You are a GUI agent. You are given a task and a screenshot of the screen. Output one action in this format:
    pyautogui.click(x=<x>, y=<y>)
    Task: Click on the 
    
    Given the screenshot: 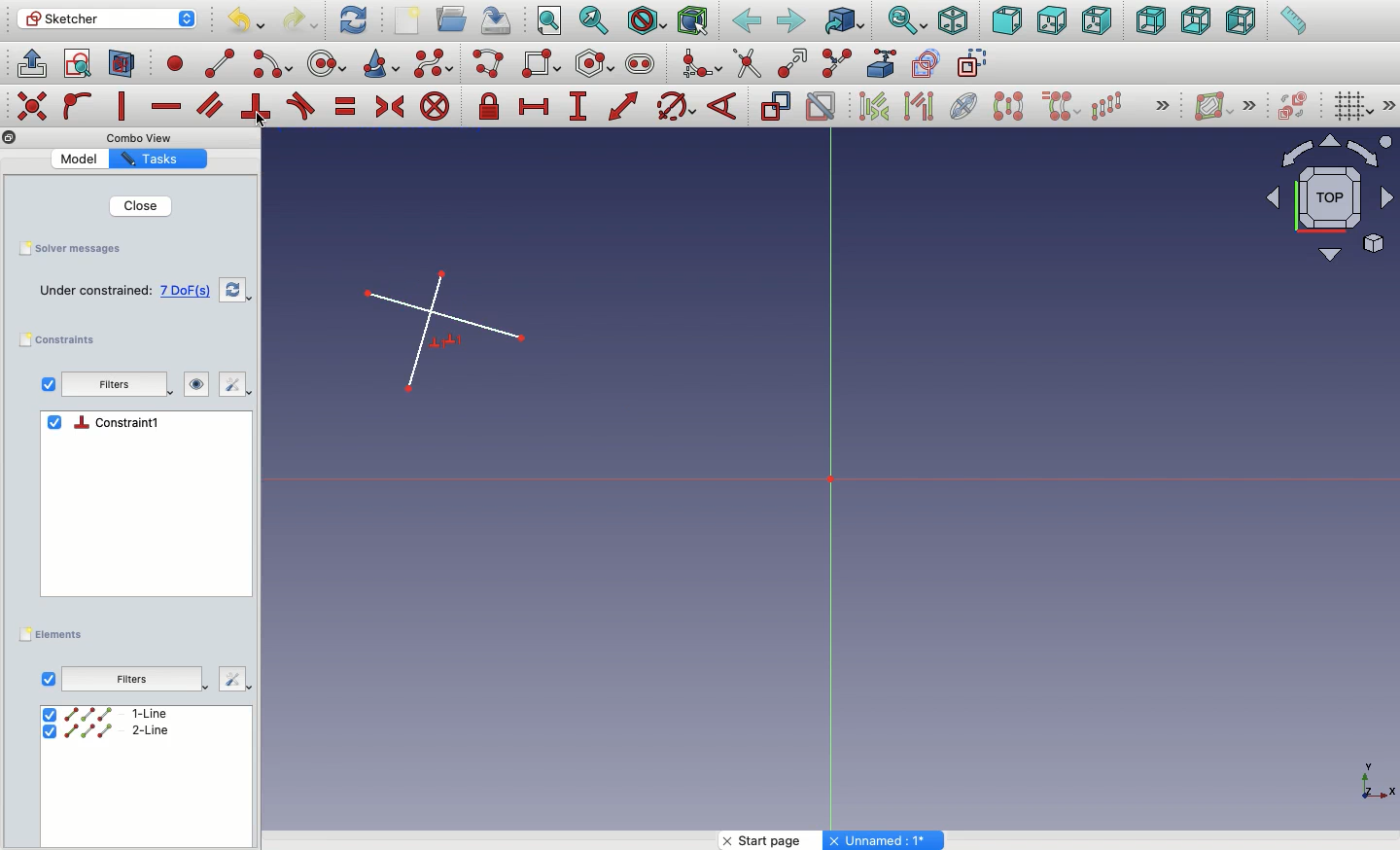 What is the action you would take?
    pyautogui.click(x=141, y=138)
    